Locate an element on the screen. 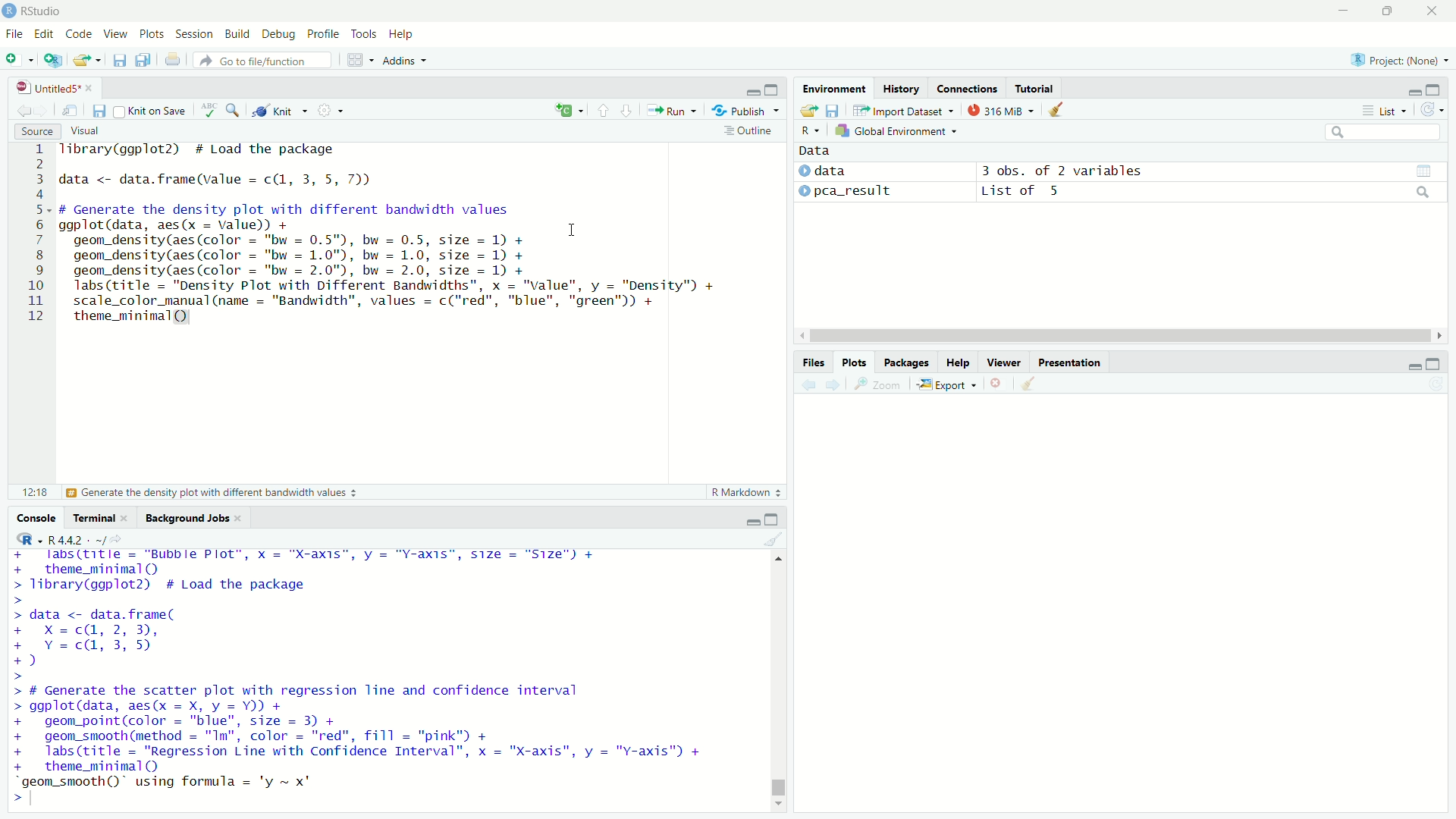 This screenshot has width=1456, height=819. Connections is located at coordinates (965, 87).